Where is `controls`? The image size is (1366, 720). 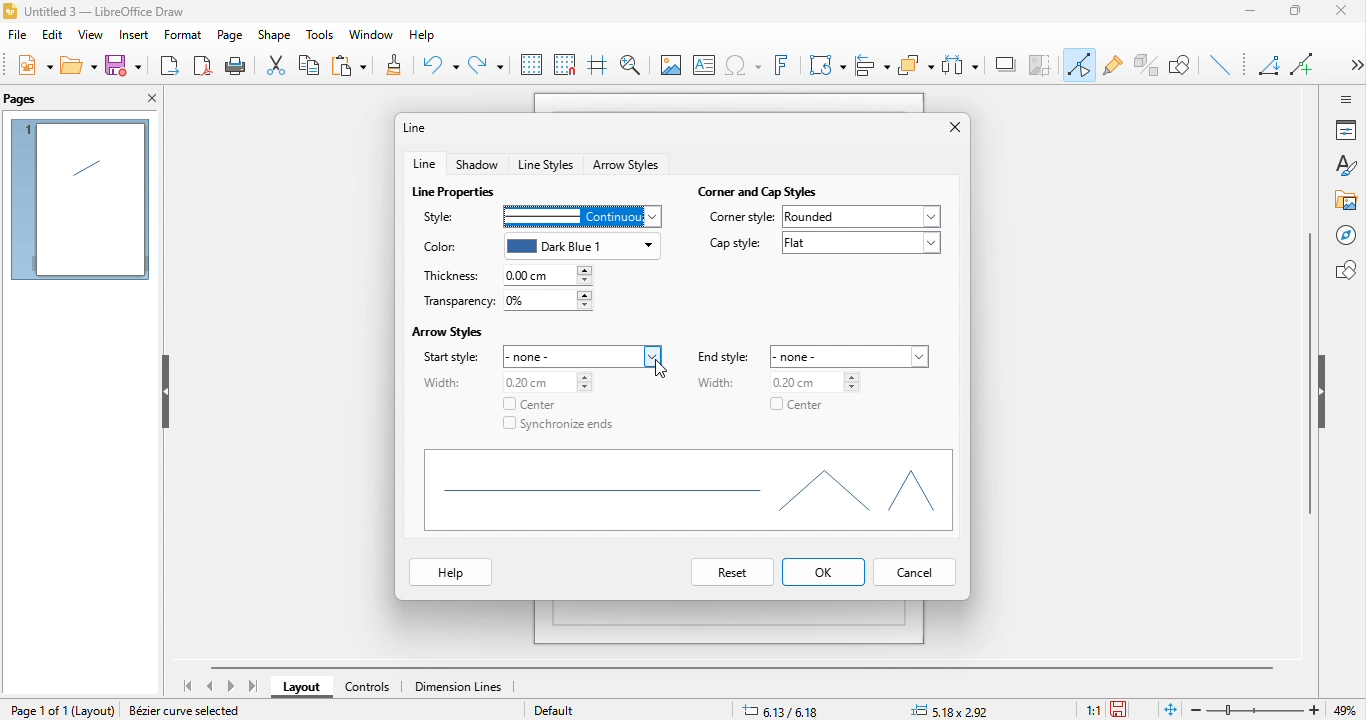 controls is located at coordinates (368, 689).